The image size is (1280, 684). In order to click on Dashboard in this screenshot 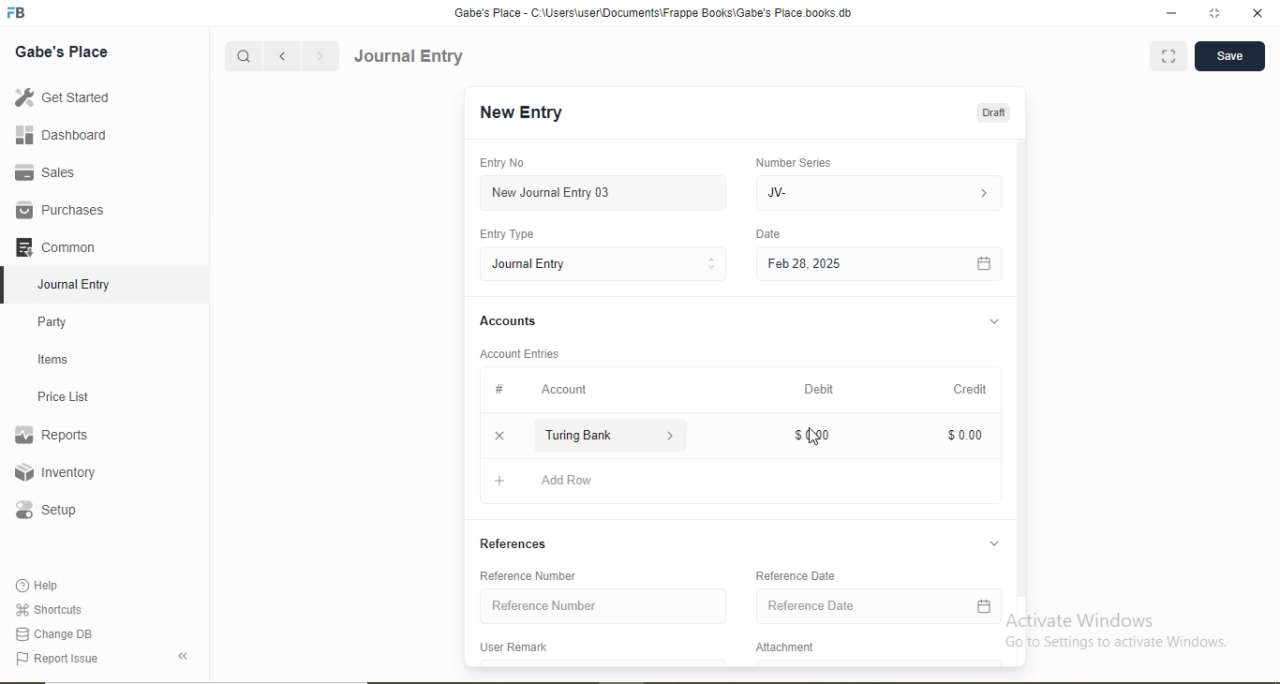, I will do `click(62, 134)`.